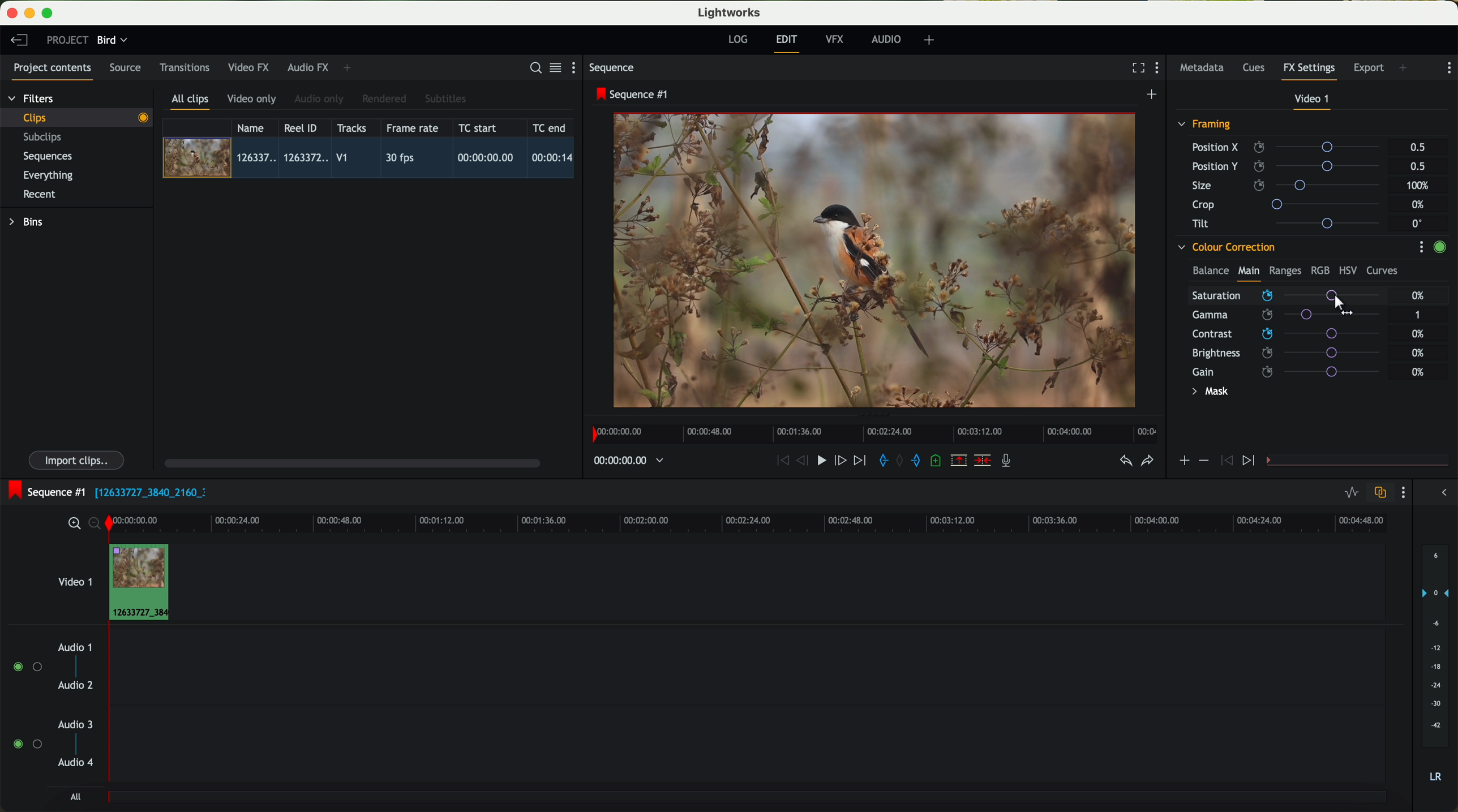  What do you see at coordinates (1418, 295) in the screenshot?
I see `0%` at bounding box center [1418, 295].